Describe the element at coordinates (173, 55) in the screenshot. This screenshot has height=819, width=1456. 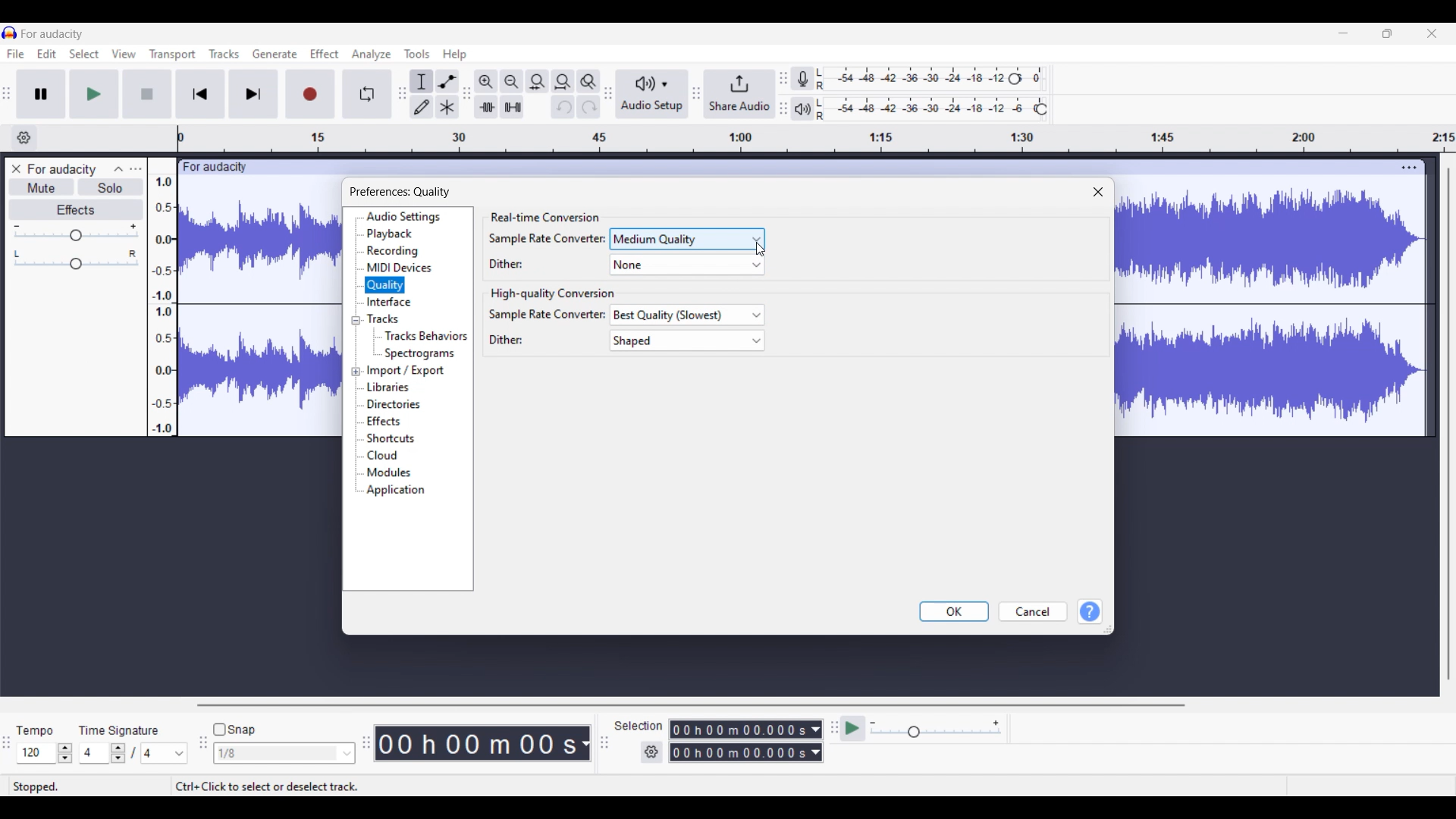
I see `Transport menu` at that location.